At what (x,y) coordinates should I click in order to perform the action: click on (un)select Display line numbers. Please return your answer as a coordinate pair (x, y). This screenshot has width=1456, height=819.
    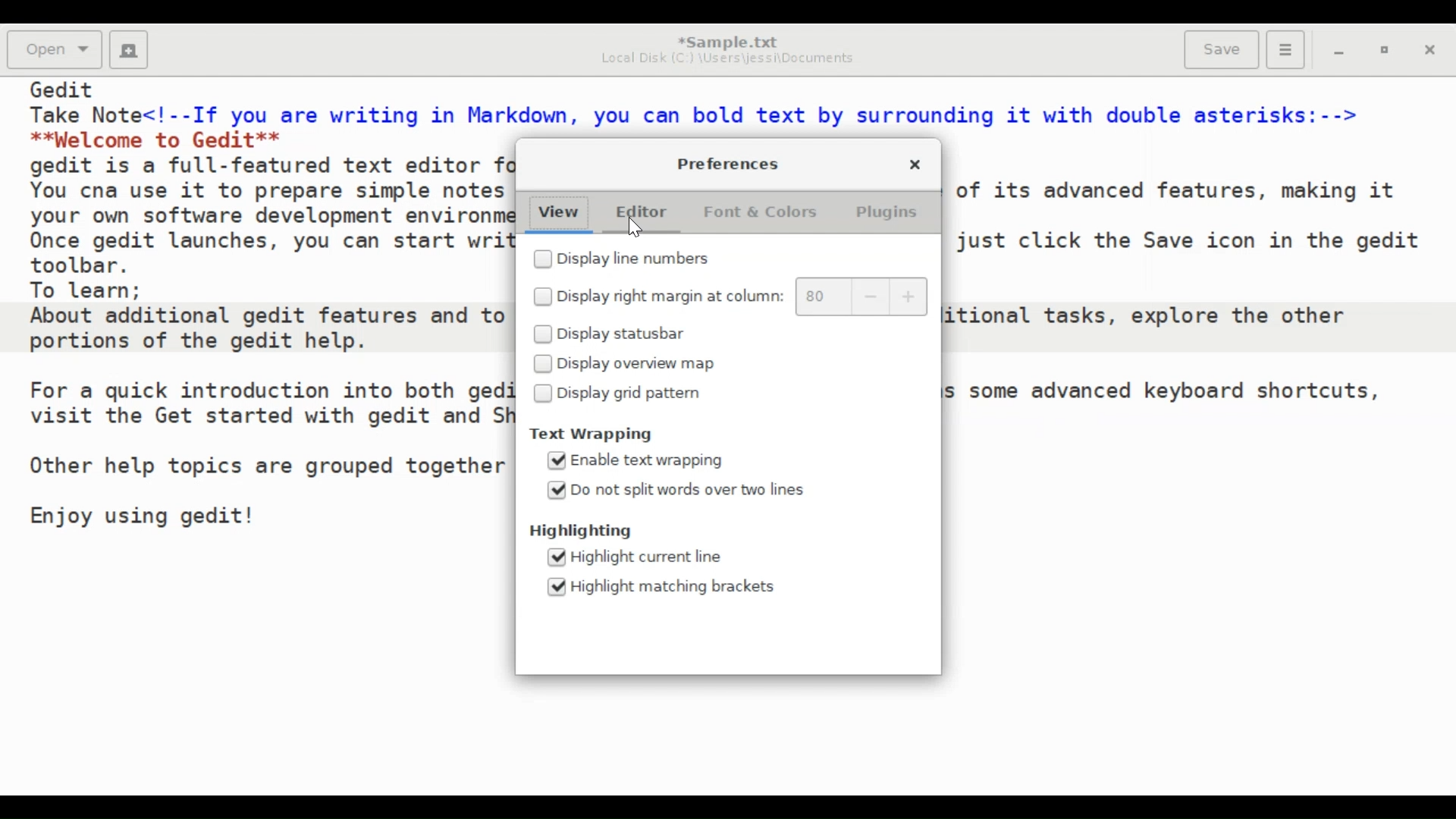
    Looking at the image, I should click on (641, 260).